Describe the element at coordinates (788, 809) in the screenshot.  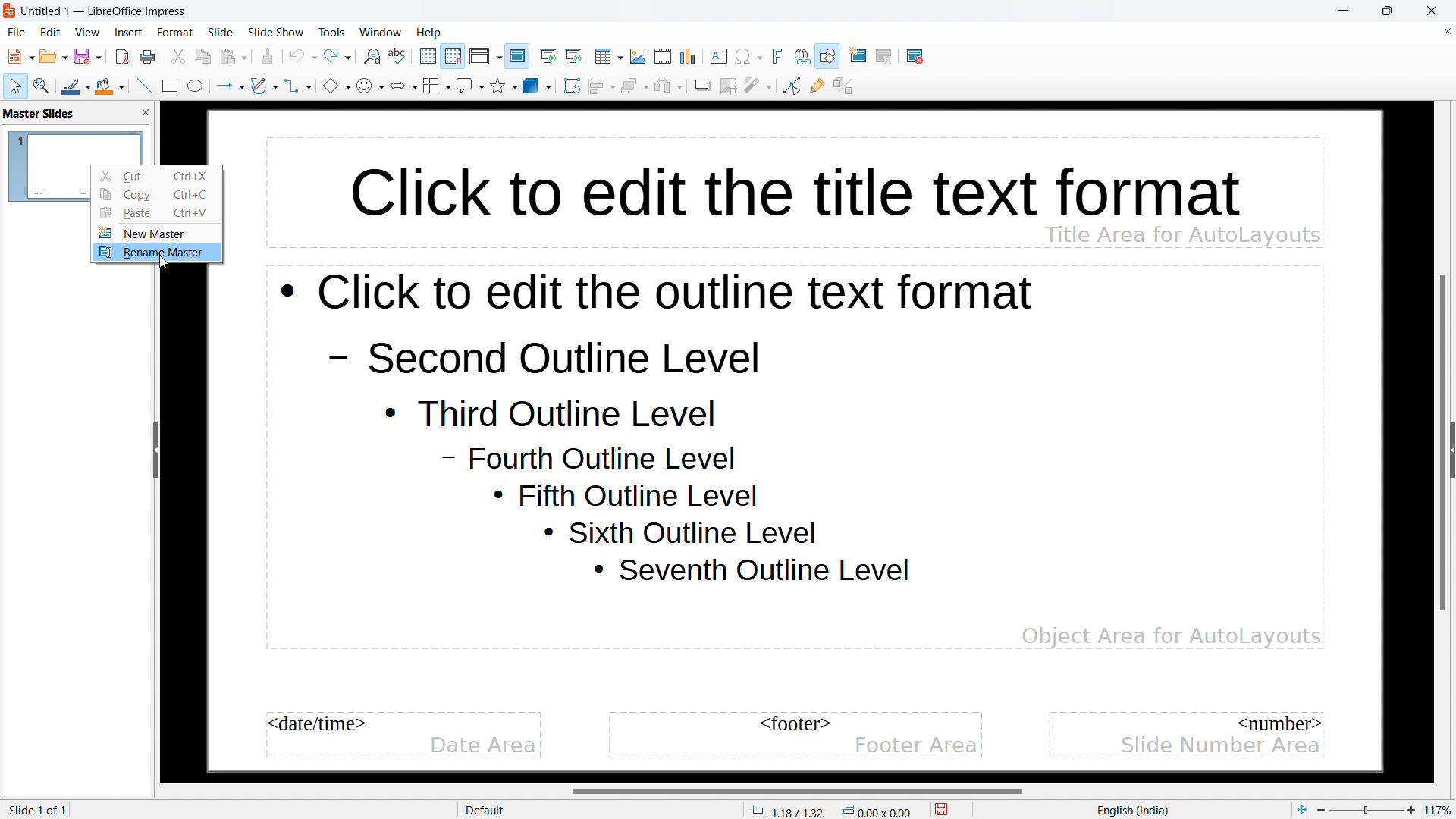
I see `cursor coordinates` at that location.